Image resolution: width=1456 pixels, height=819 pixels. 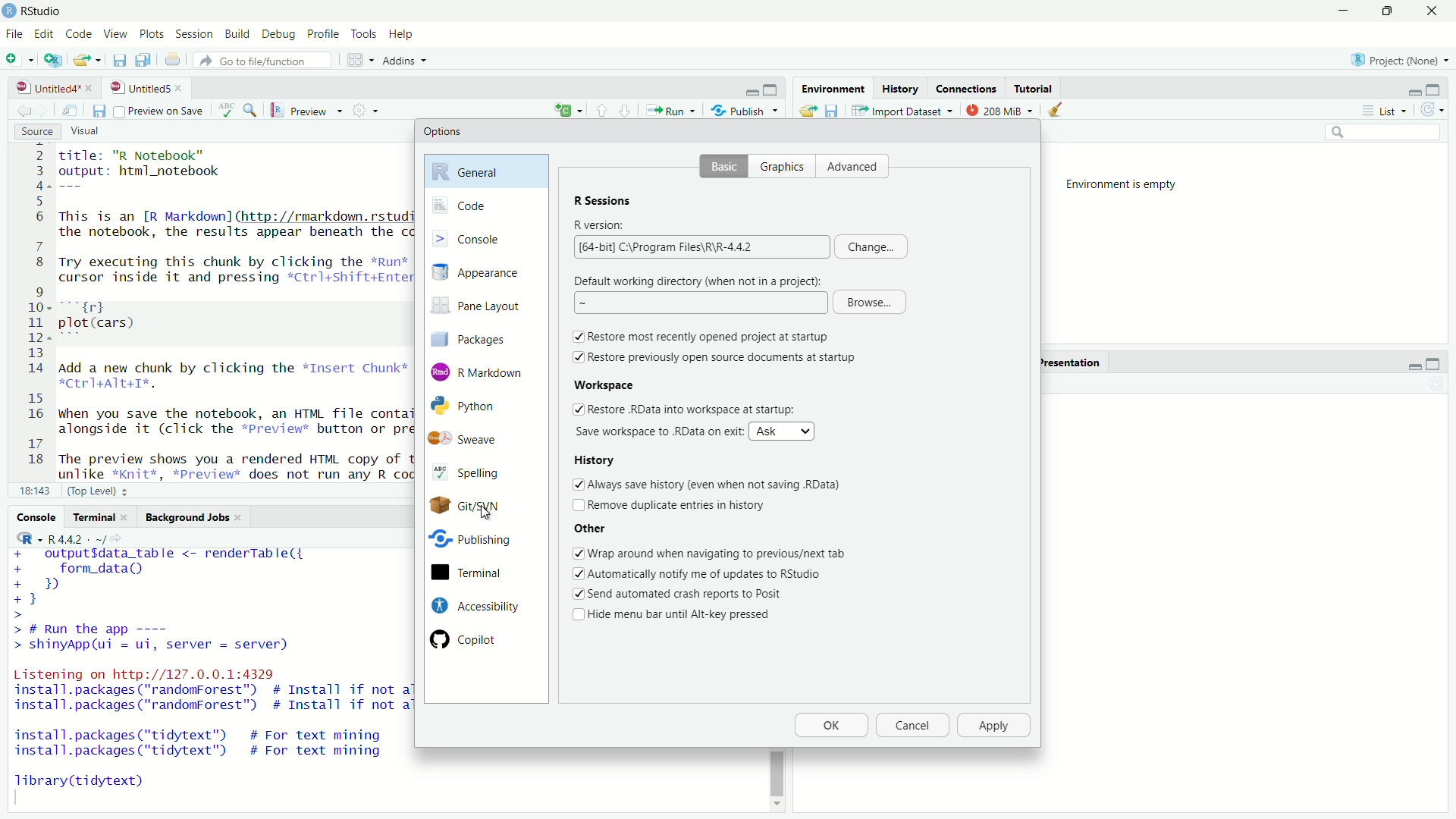 I want to click on copilot, so click(x=476, y=639).